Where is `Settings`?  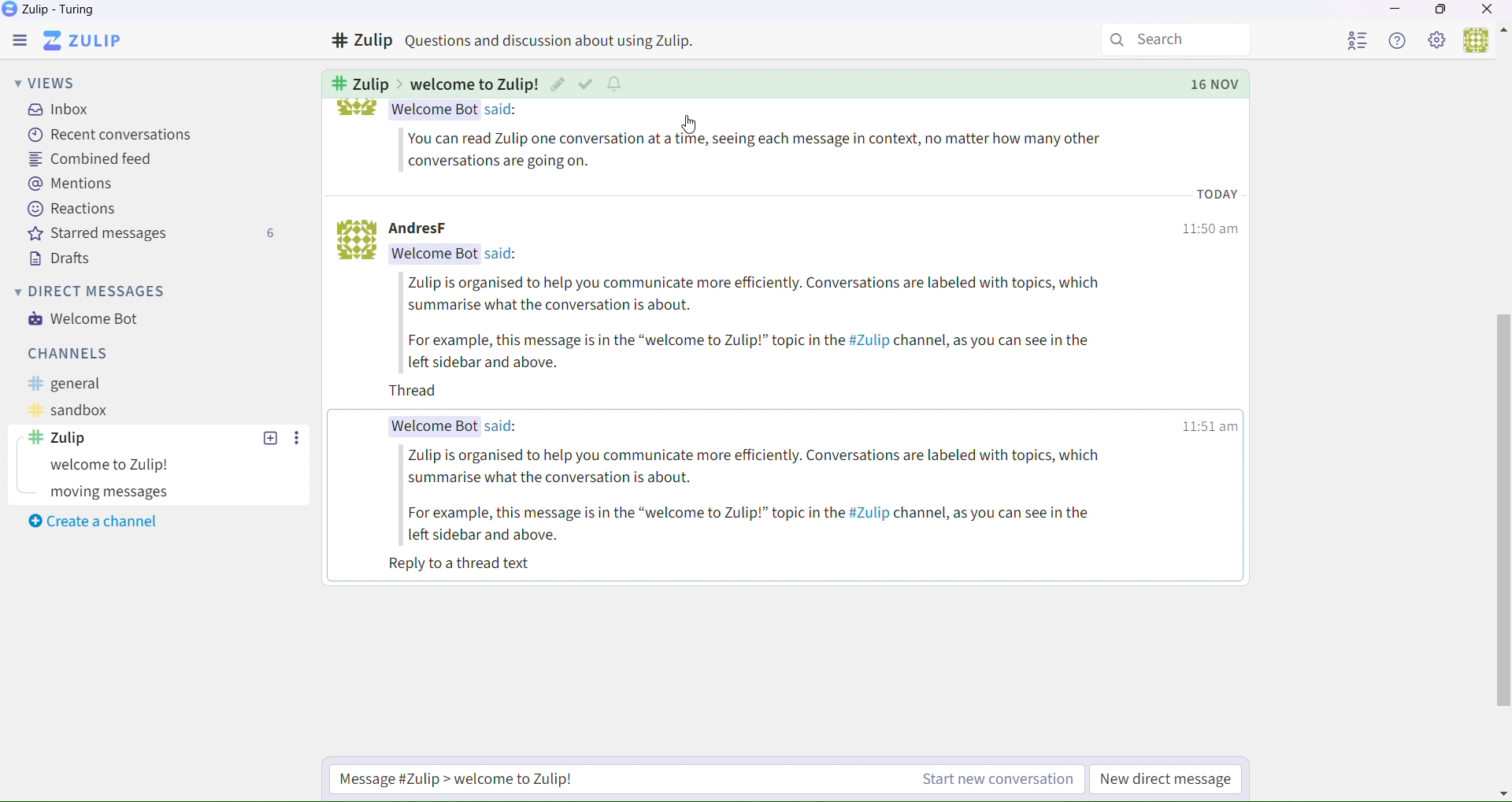 Settings is located at coordinates (1440, 42).